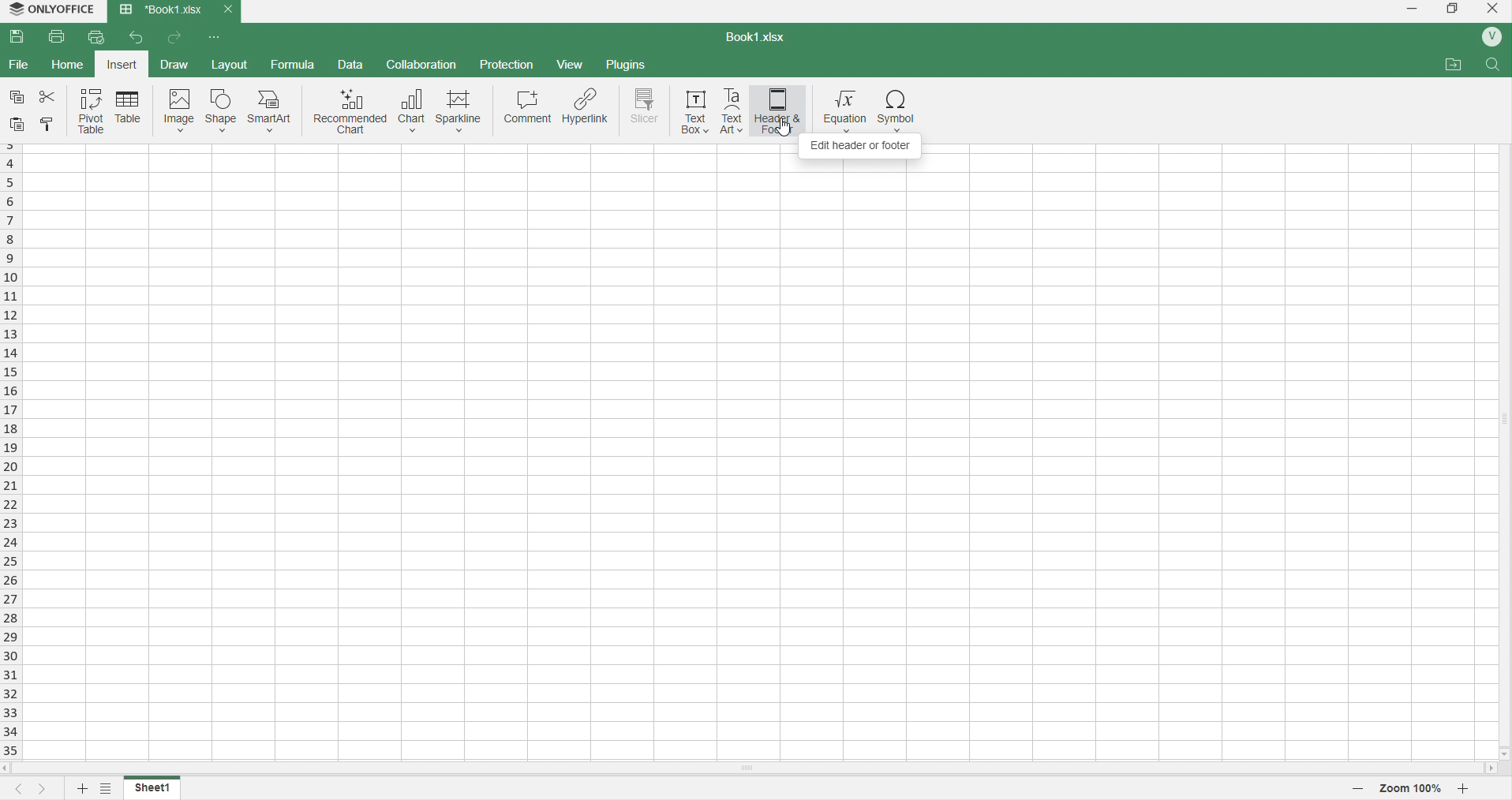 This screenshot has height=800, width=1512. I want to click on windows, so click(1451, 11).